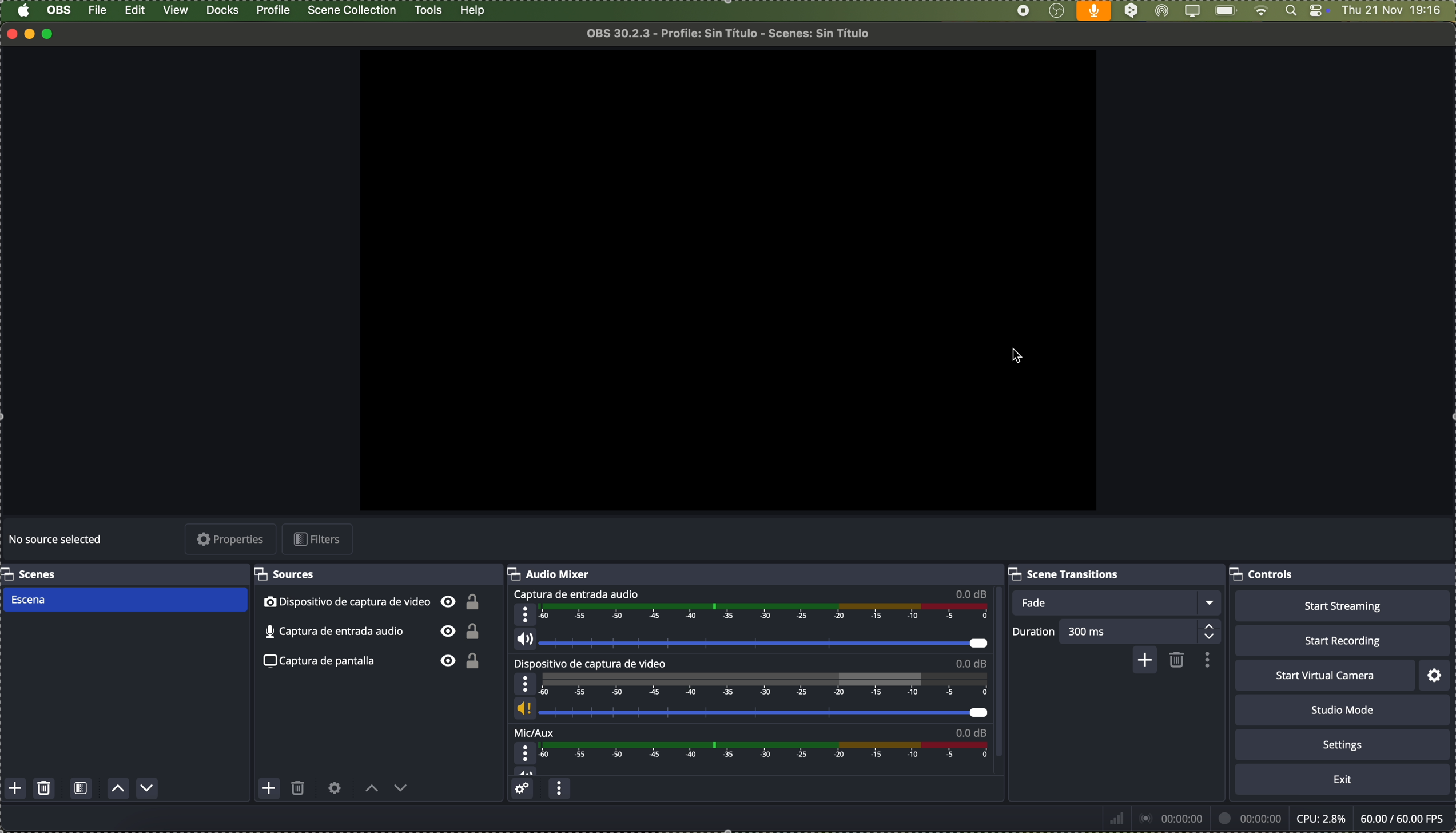  What do you see at coordinates (269, 788) in the screenshot?
I see `add source` at bounding box center [269, 788].